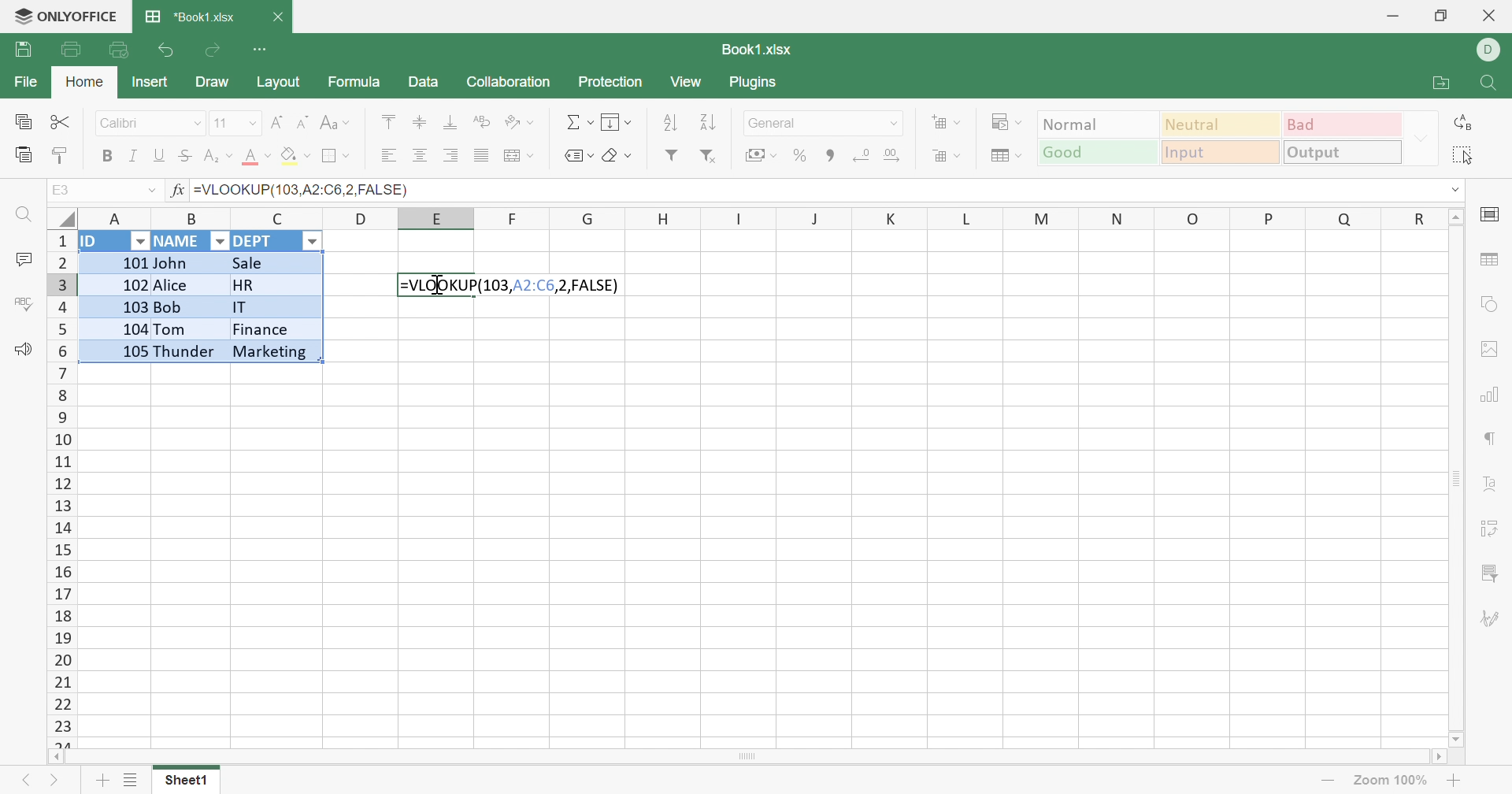 Image resolution: width=1512 pixels, height=794 pixels. Describe the element at coordinates (273, 284) in the screenshot. I see `HR` at that location.